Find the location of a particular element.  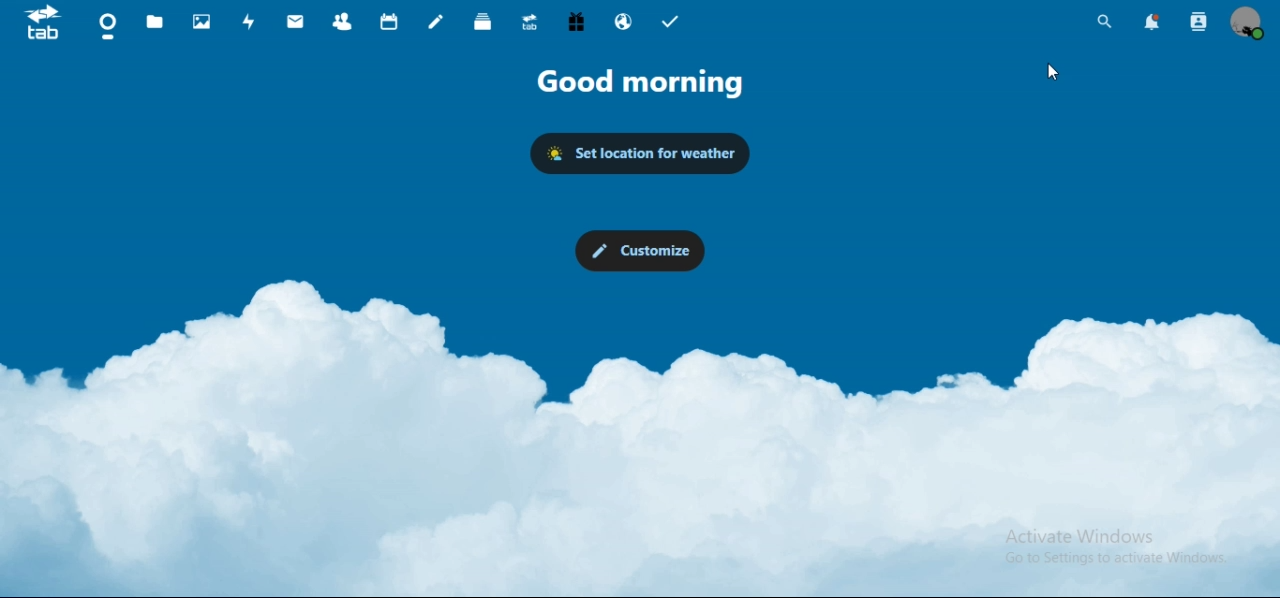

contacts is located at coordinates (342, 21).